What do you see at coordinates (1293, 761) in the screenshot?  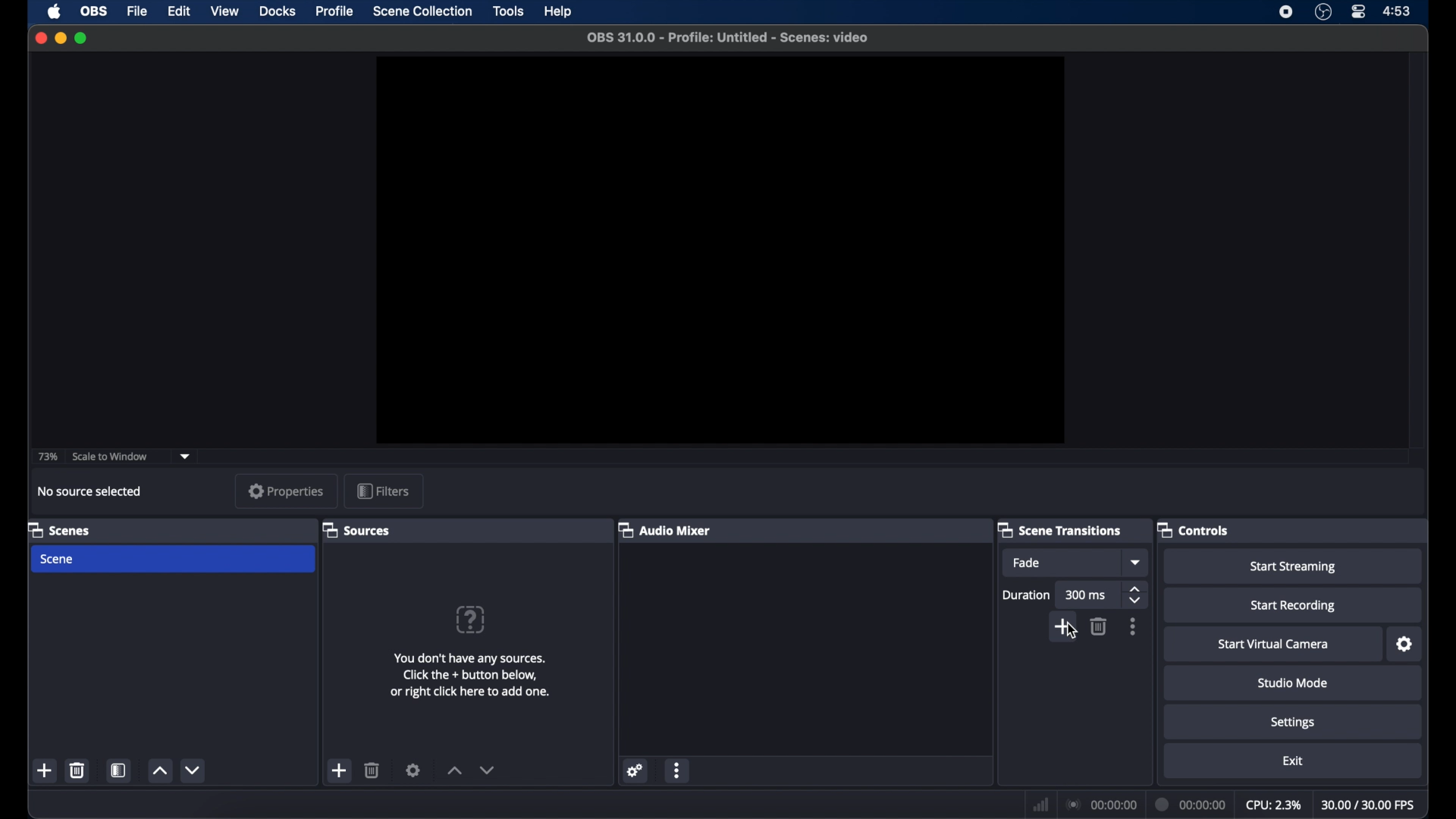 I see `exit` at bounding box center [1293, 761].